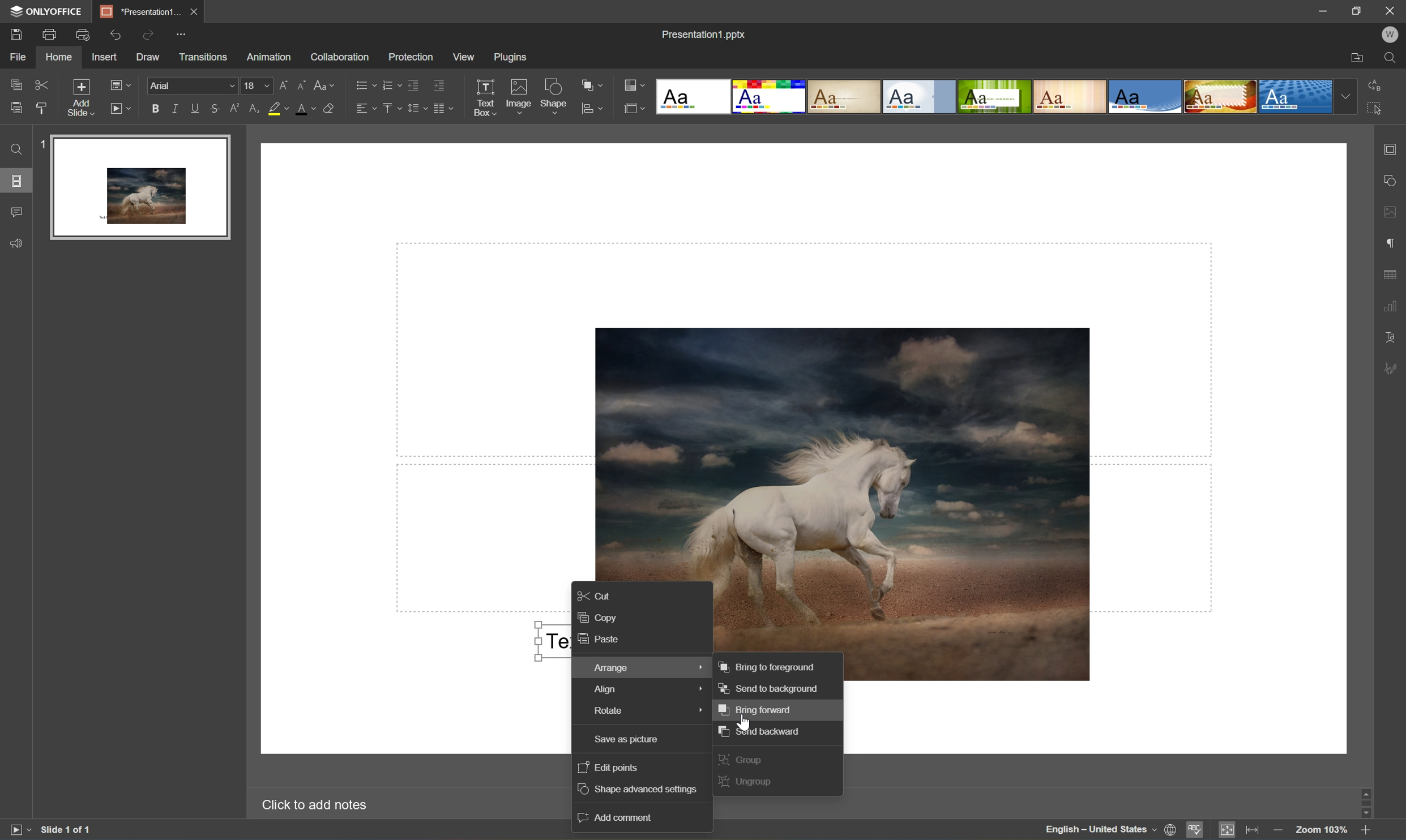 The height and width of the screenshot is (840, 1406). I want to click on Official, so click(920, 96).